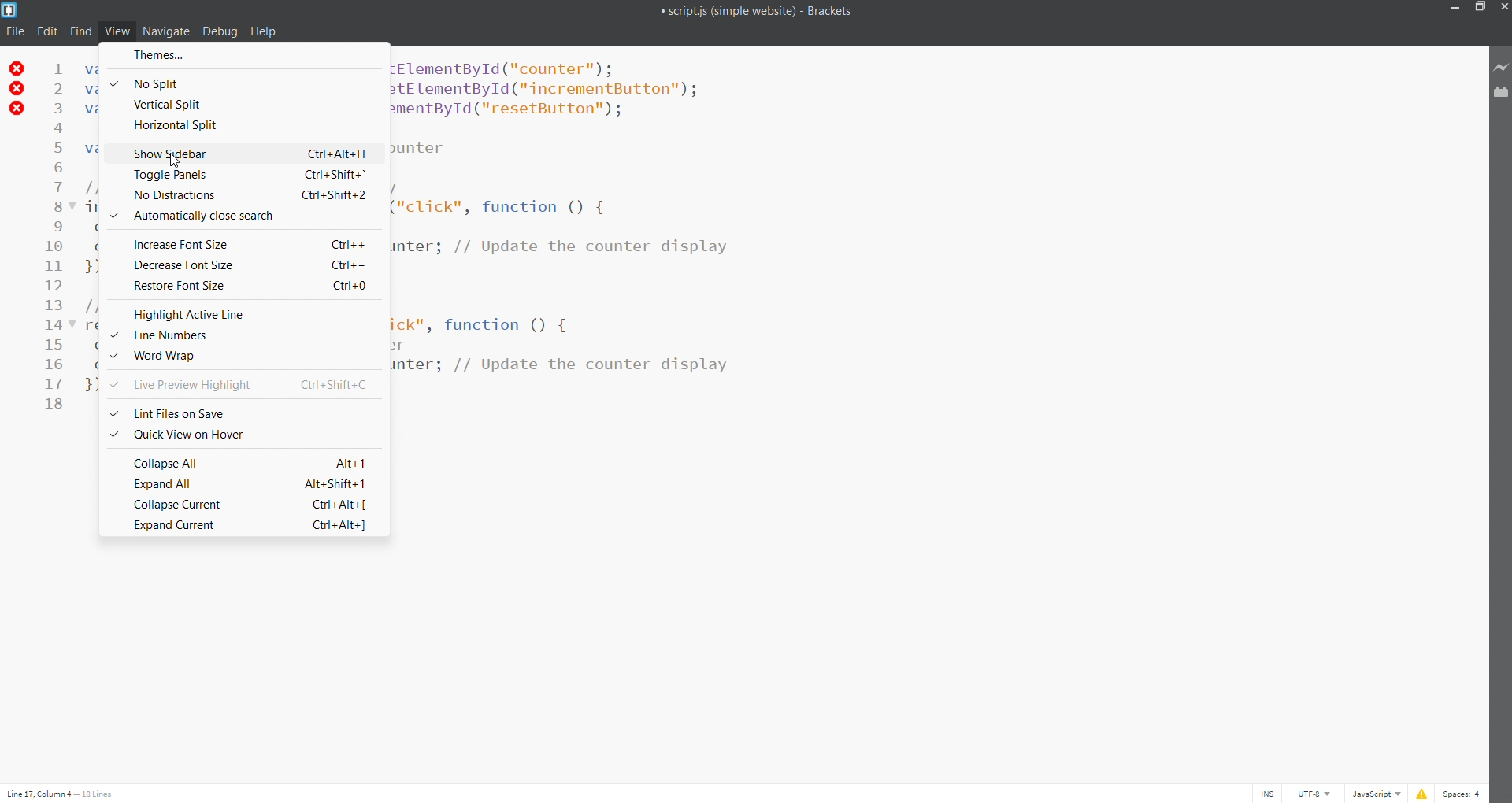  Describe the element at coordinates (241, 314) in the screenshot. I see `highlight active line` at that location.